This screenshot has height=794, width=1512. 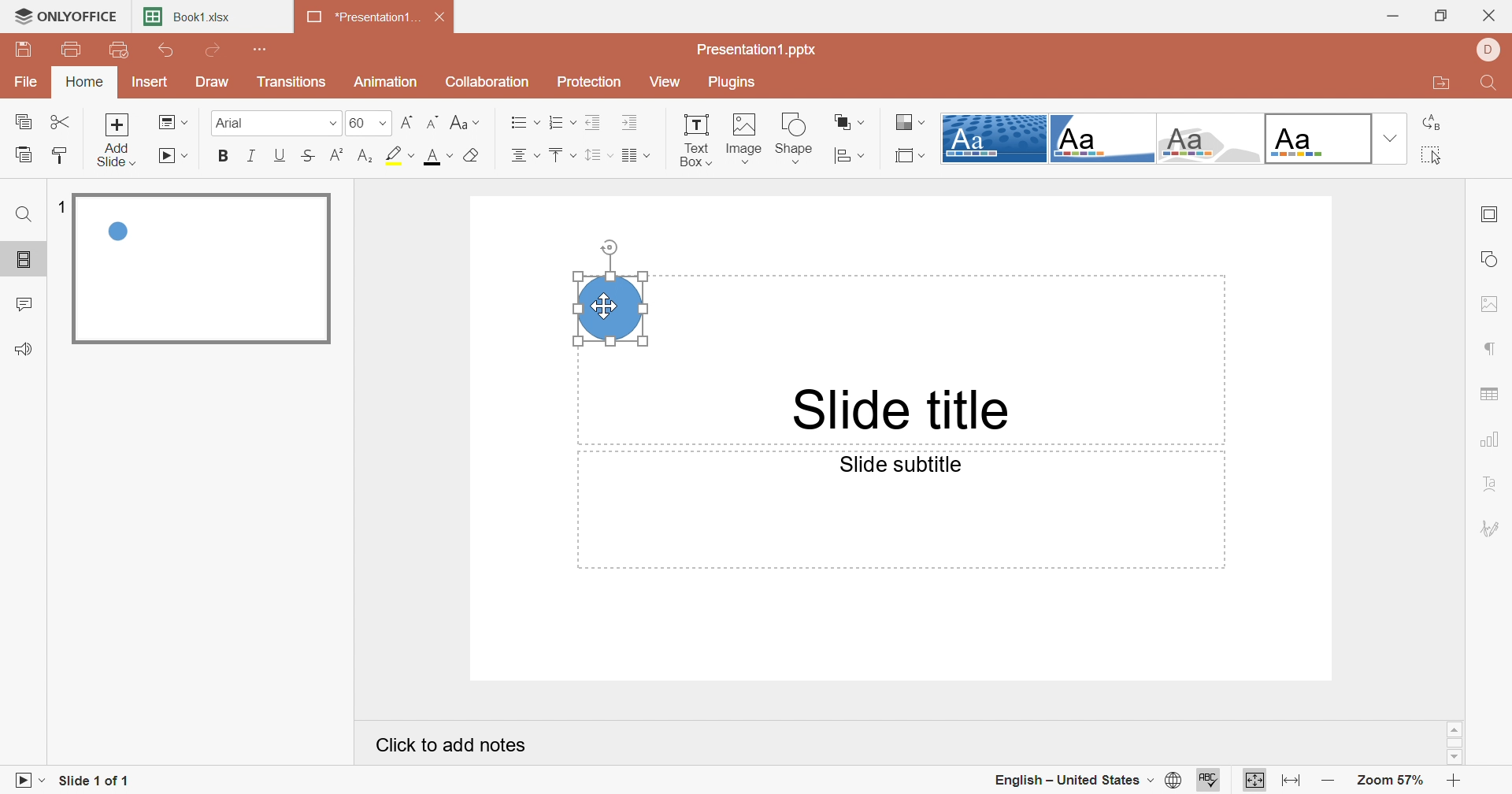 What do you see at coordinates (733, 82) in the screenshot?
I see `Plugins` at bounding box center [733, 82].